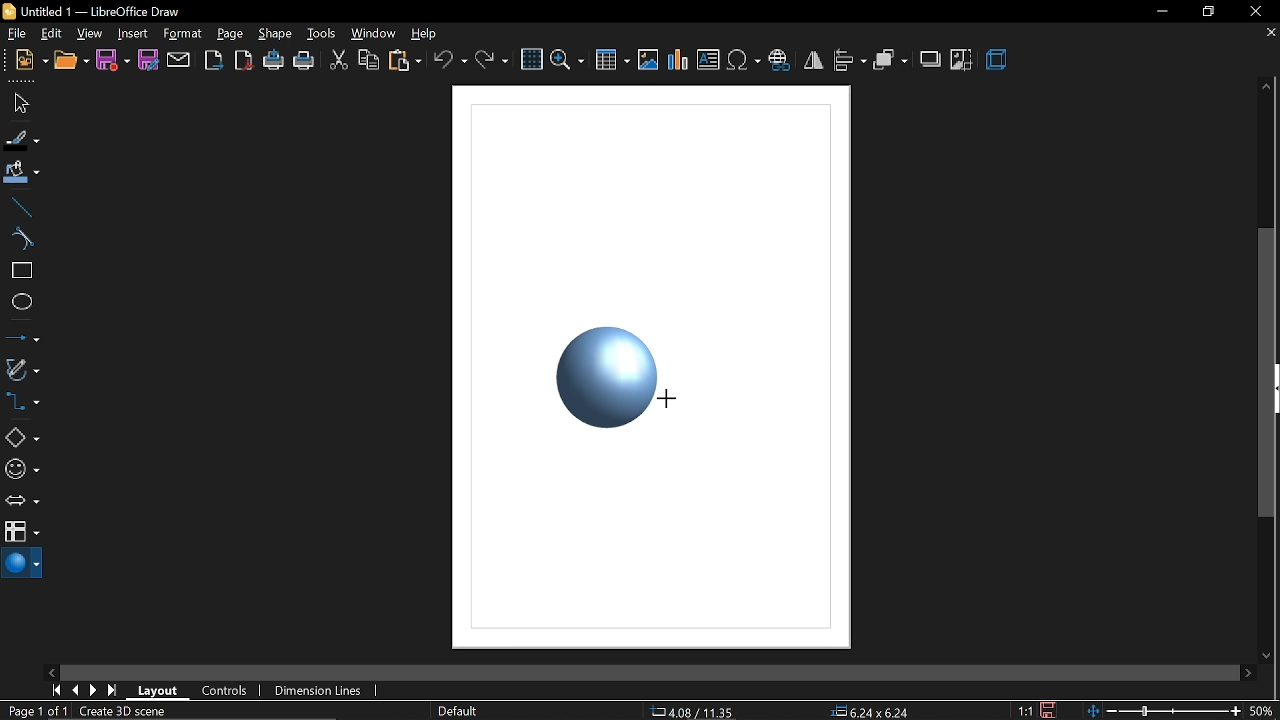 The height and width of the screenshot is (720, 1280). Describe the element at coordinates (18, 102) in the screenshot. I see `select` at that location.